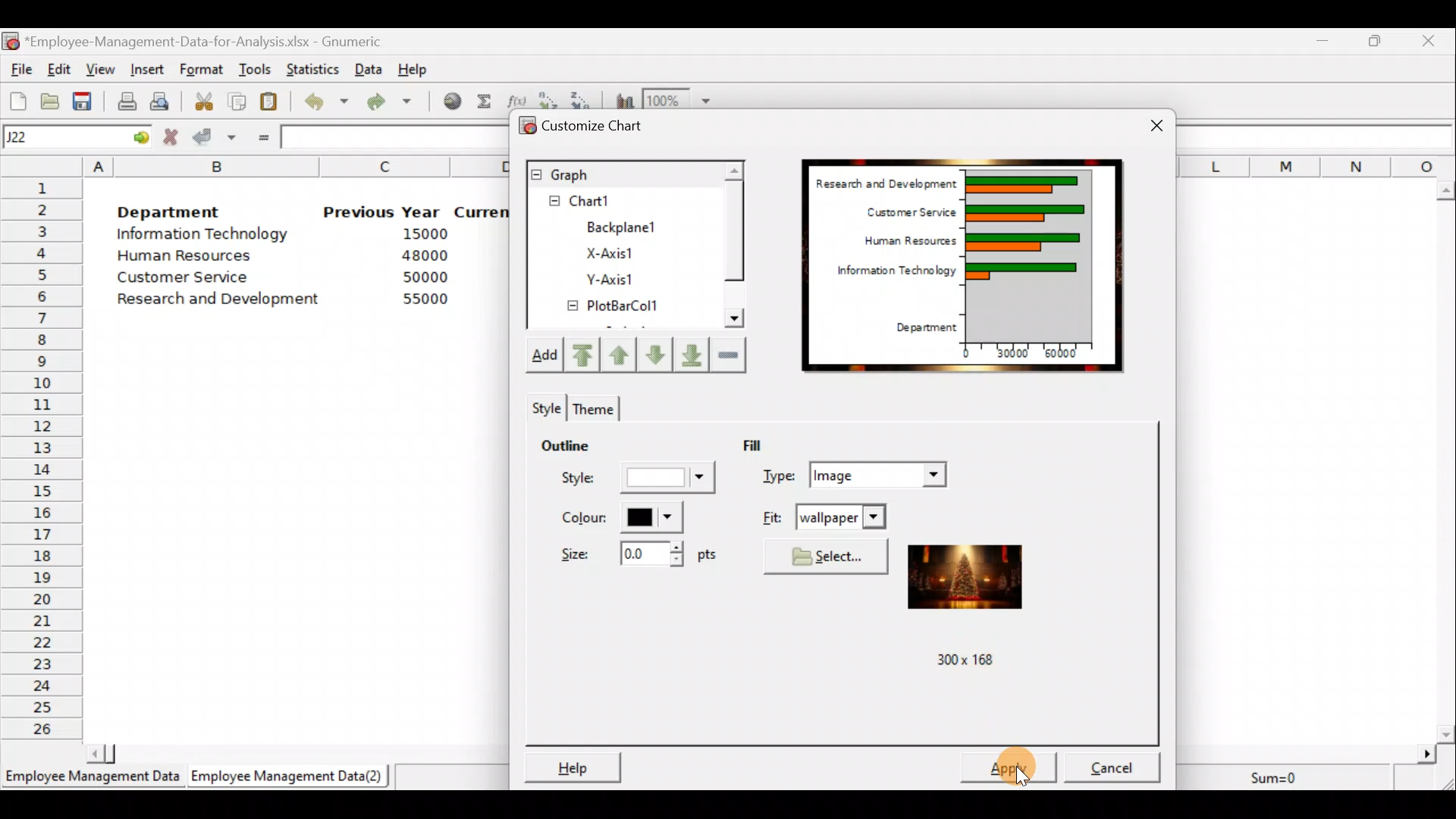 Image resolution: width=1456 pixels, height=819 pixels. I want to click on Gnumeric logo, so click(12, 41).